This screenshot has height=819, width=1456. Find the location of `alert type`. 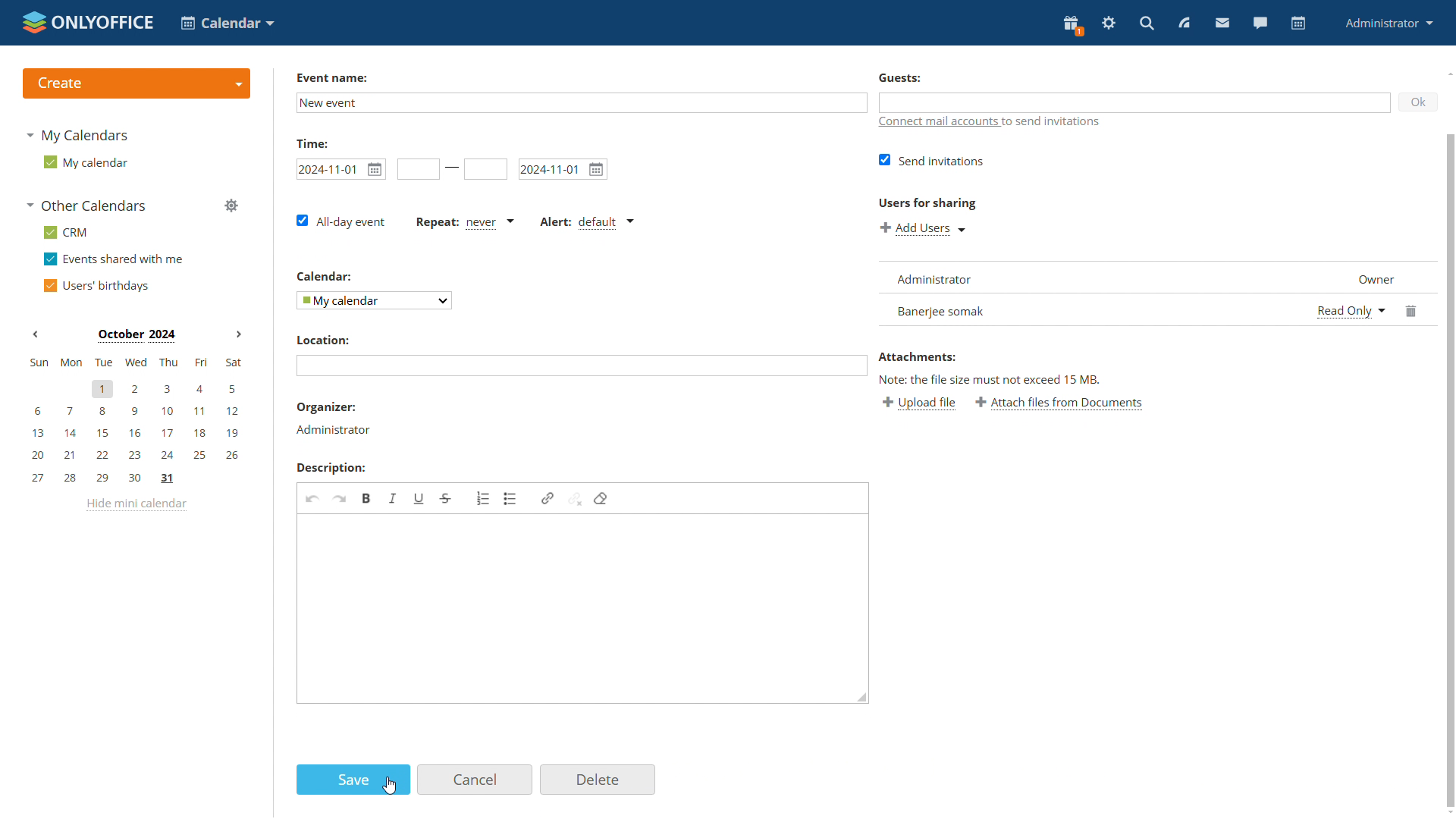

alert type is located at coordinates (585, 222).